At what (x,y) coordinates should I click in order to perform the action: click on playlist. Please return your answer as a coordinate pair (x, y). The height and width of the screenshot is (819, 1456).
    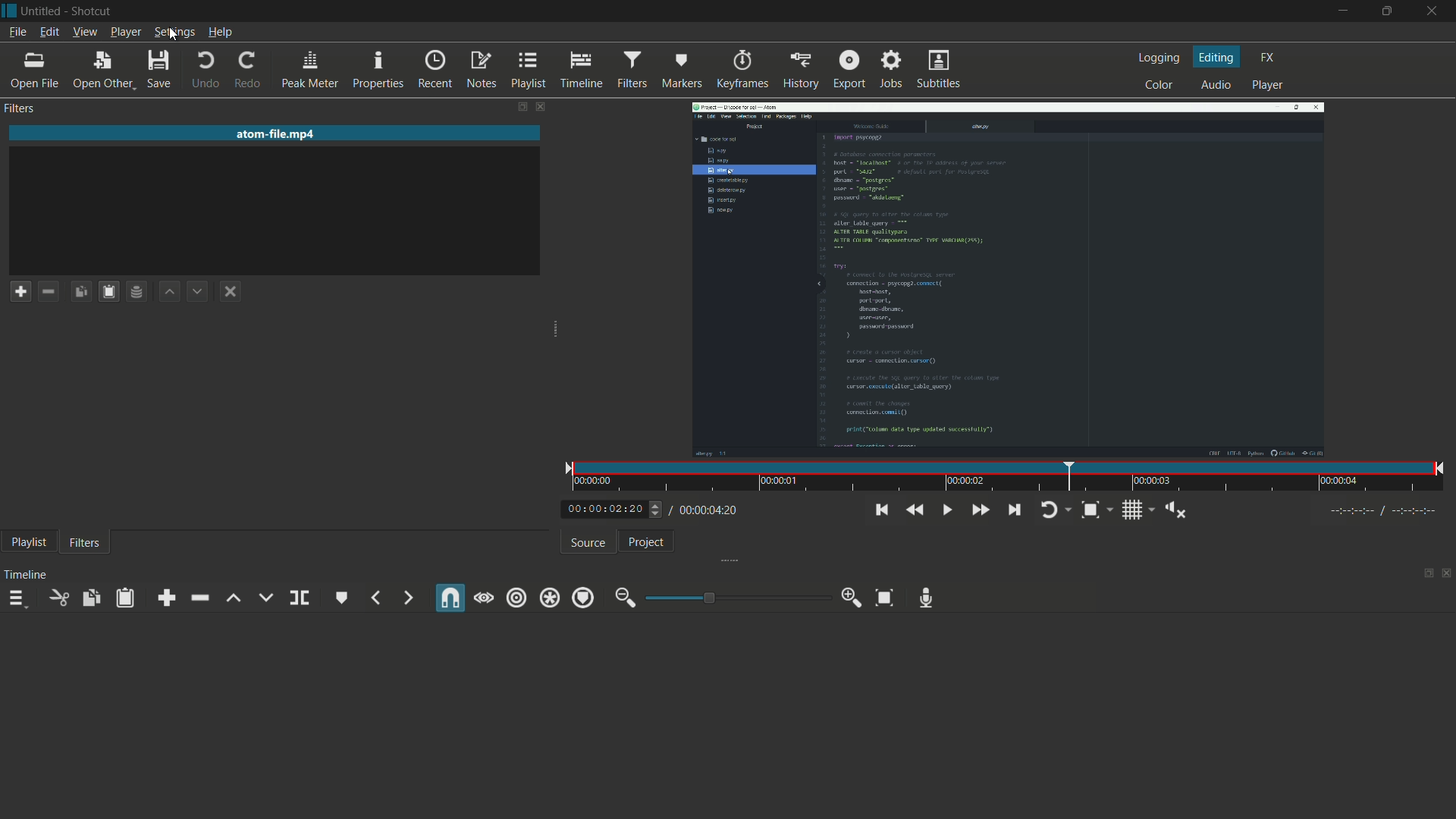
    Looking at the image, I should click on (529, 70).